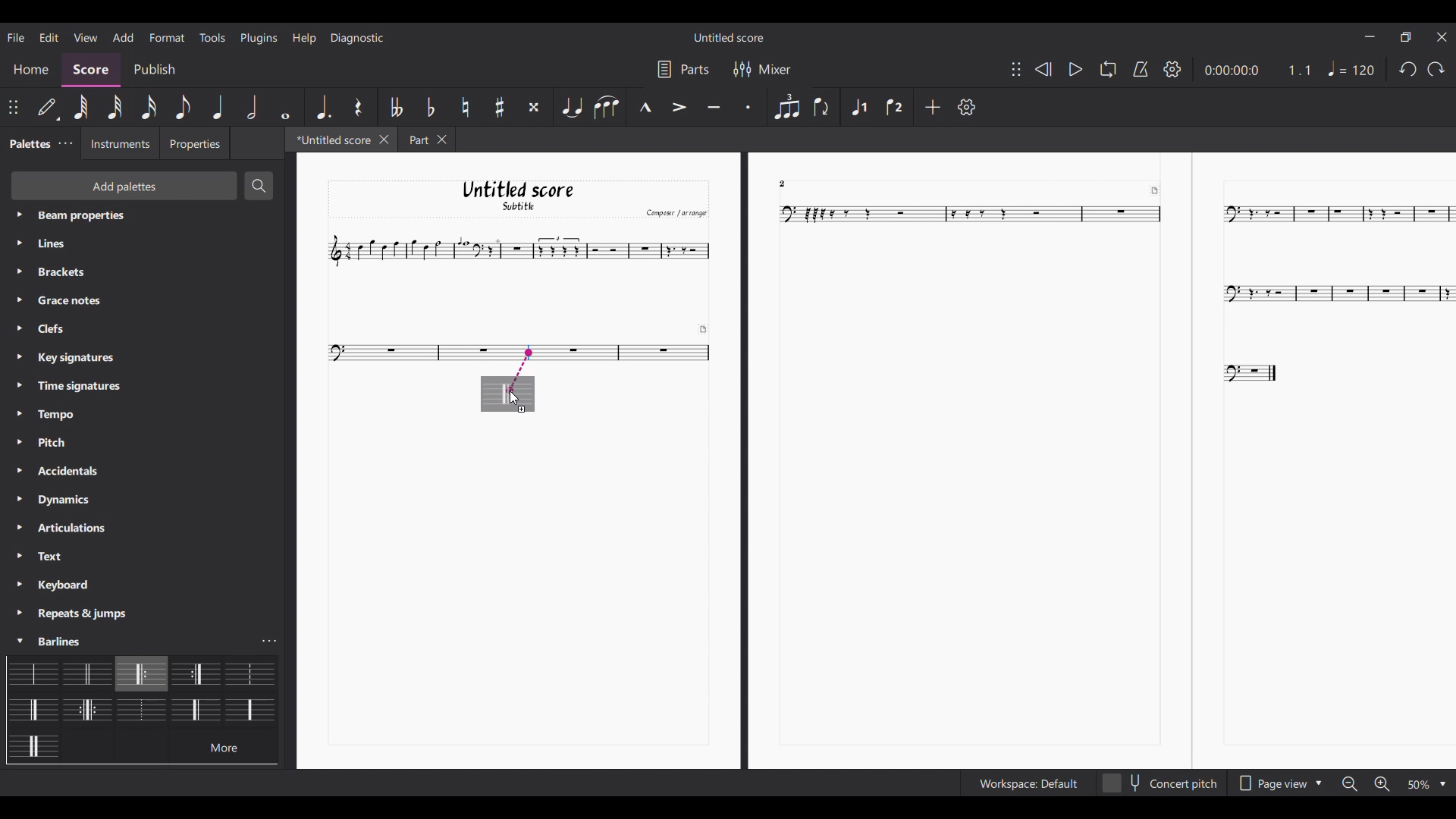 This screenshot has width=1456, height=819. What do you see at coordinates (84, 243) in the screenshot?
I see `Palette settings` at bounding box center [84, 243].